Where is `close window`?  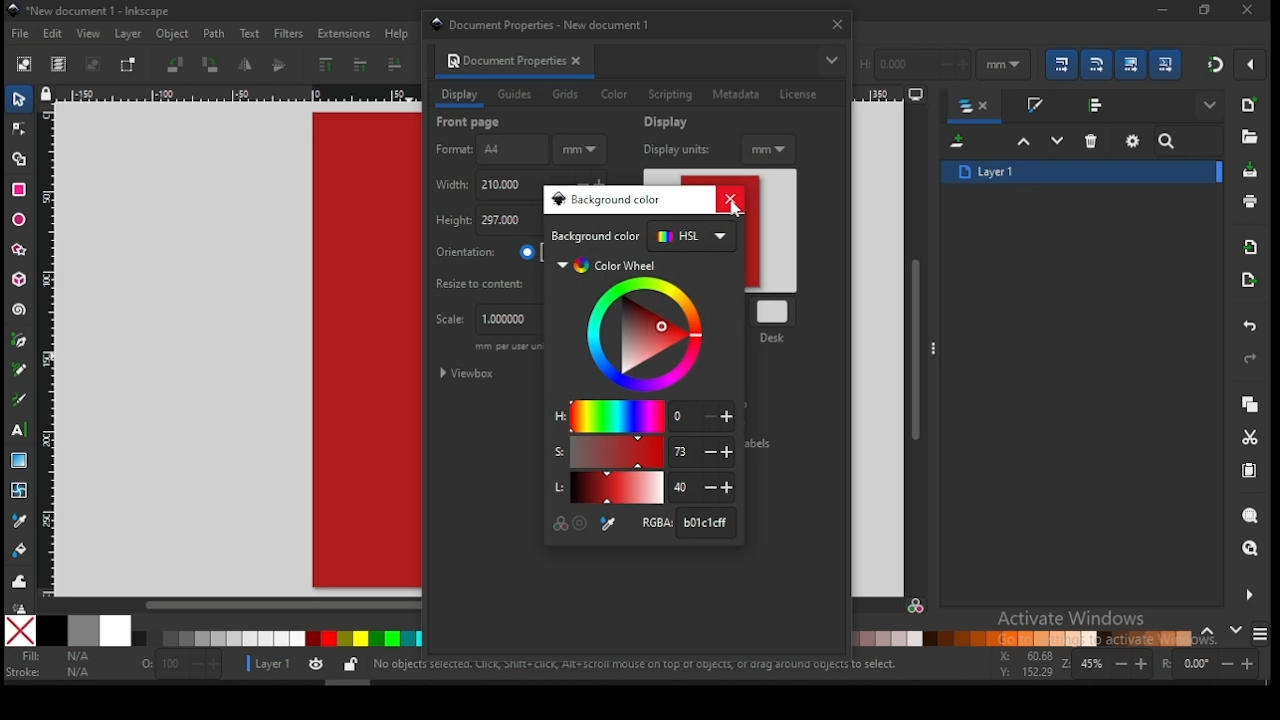 close window is located at coordinates (732, 199).